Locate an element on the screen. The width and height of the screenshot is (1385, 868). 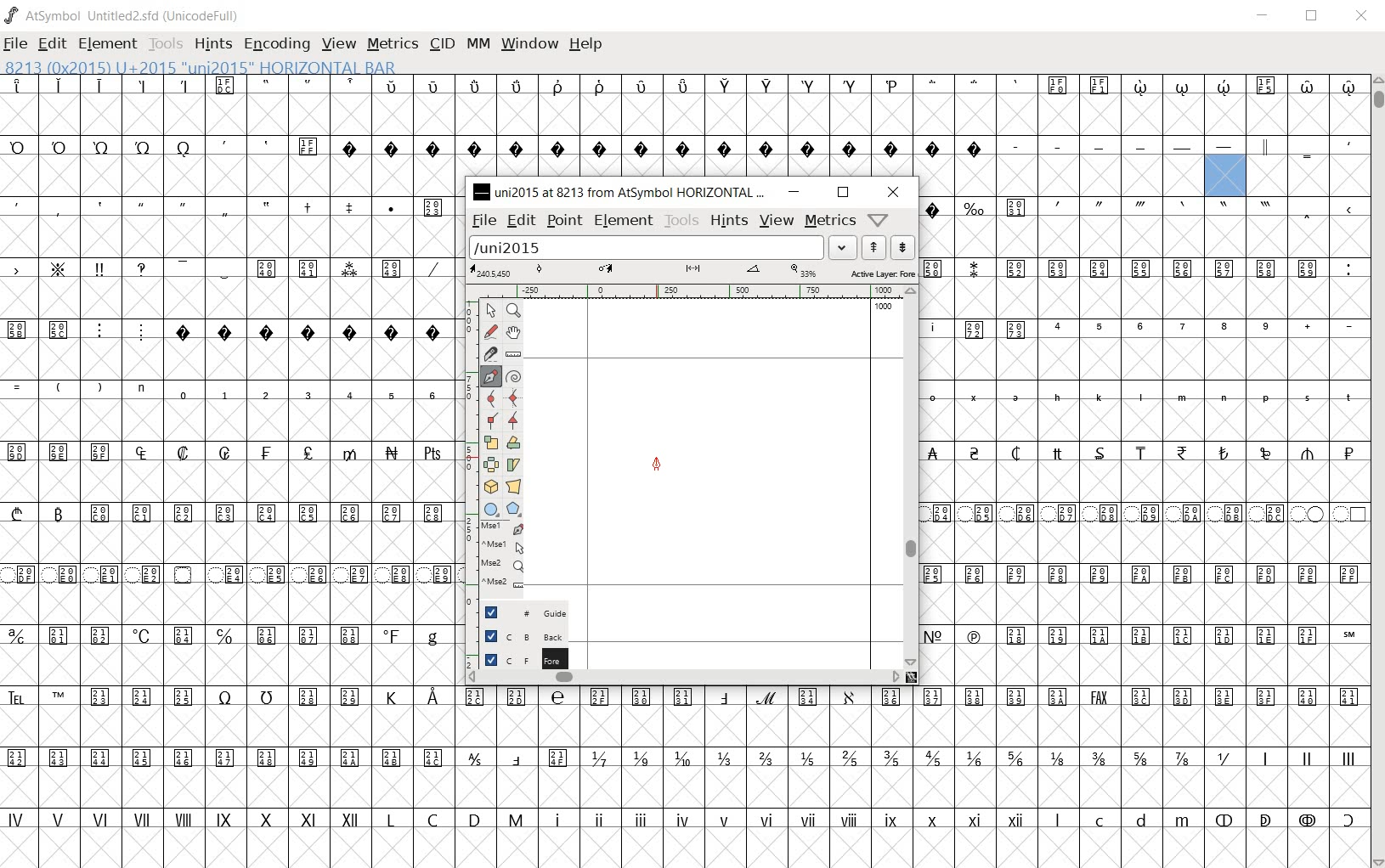
glyph characters is located at coordinates (928, 105).